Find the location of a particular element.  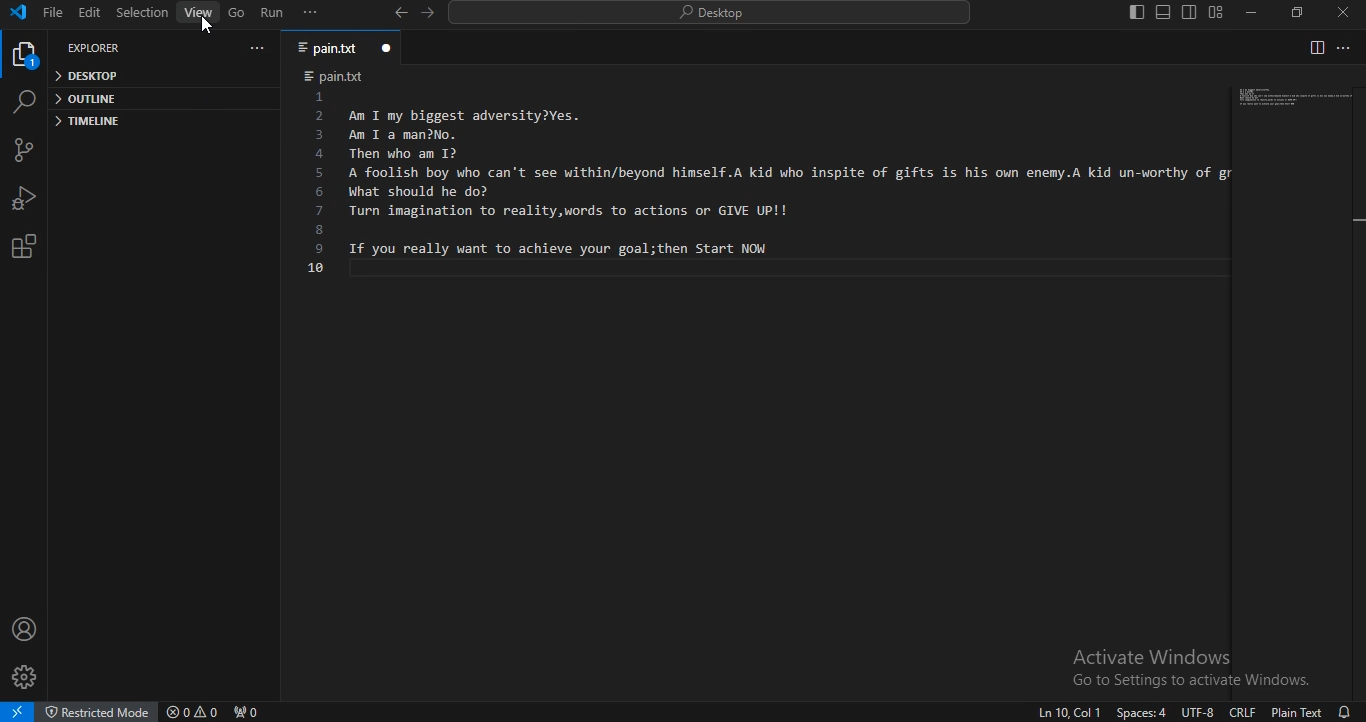

vscode icon is located at coordinates (18, 14).